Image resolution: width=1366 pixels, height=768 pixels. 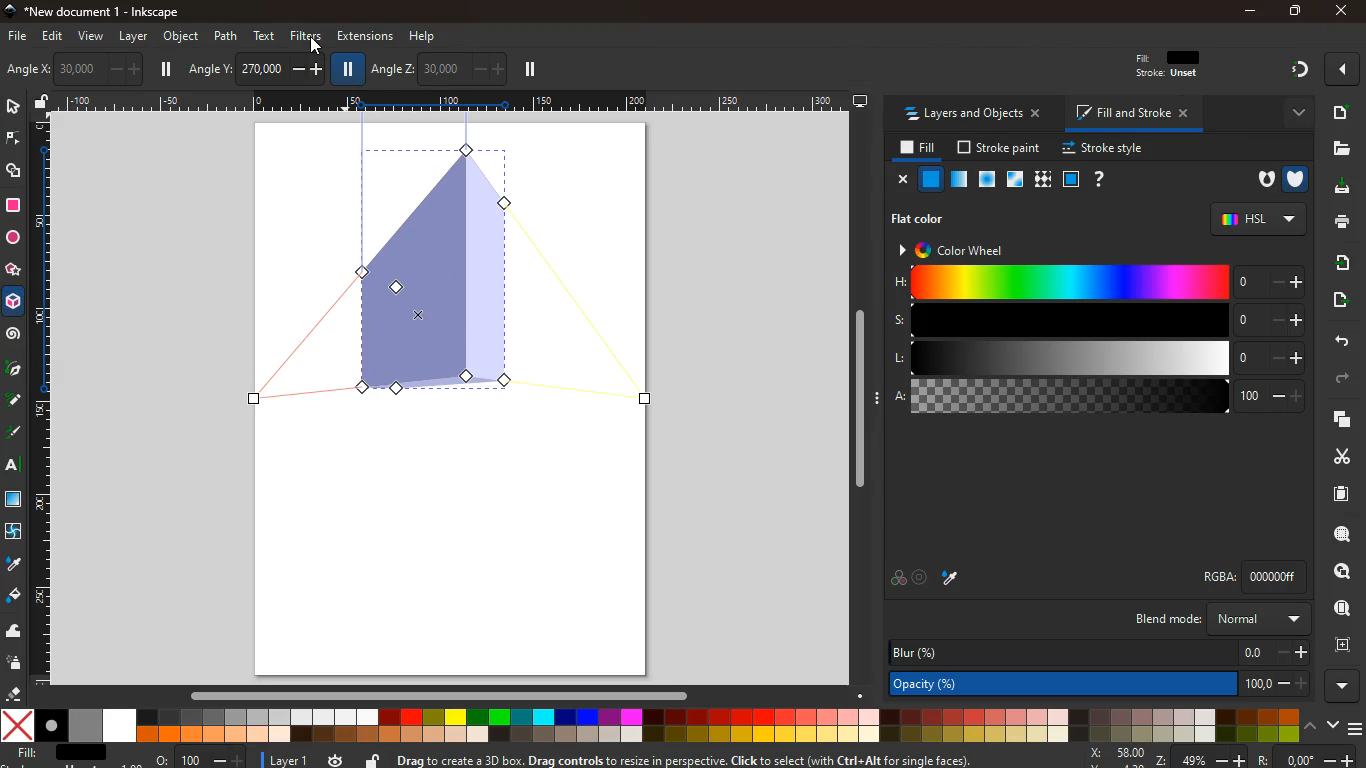 I want to click on l, so click(x=1096, y=359).